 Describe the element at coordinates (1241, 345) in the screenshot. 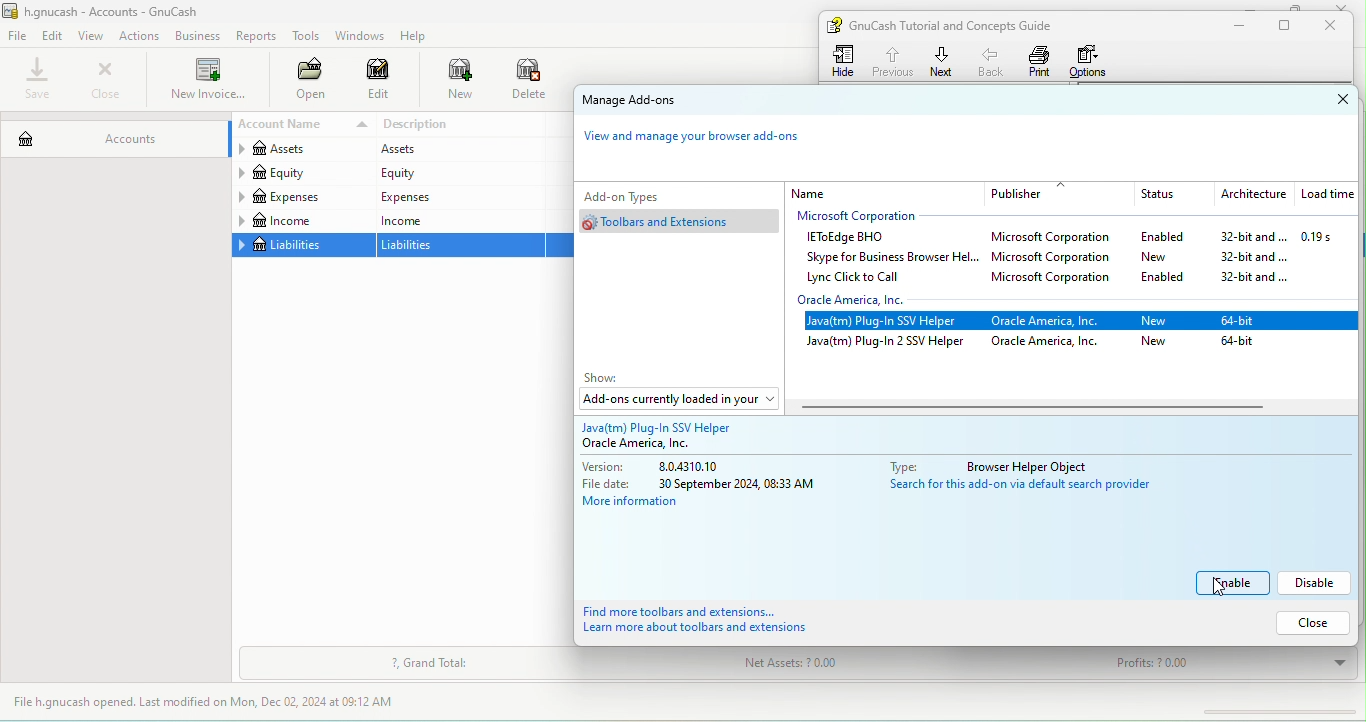

I see `64 bit` at that location.